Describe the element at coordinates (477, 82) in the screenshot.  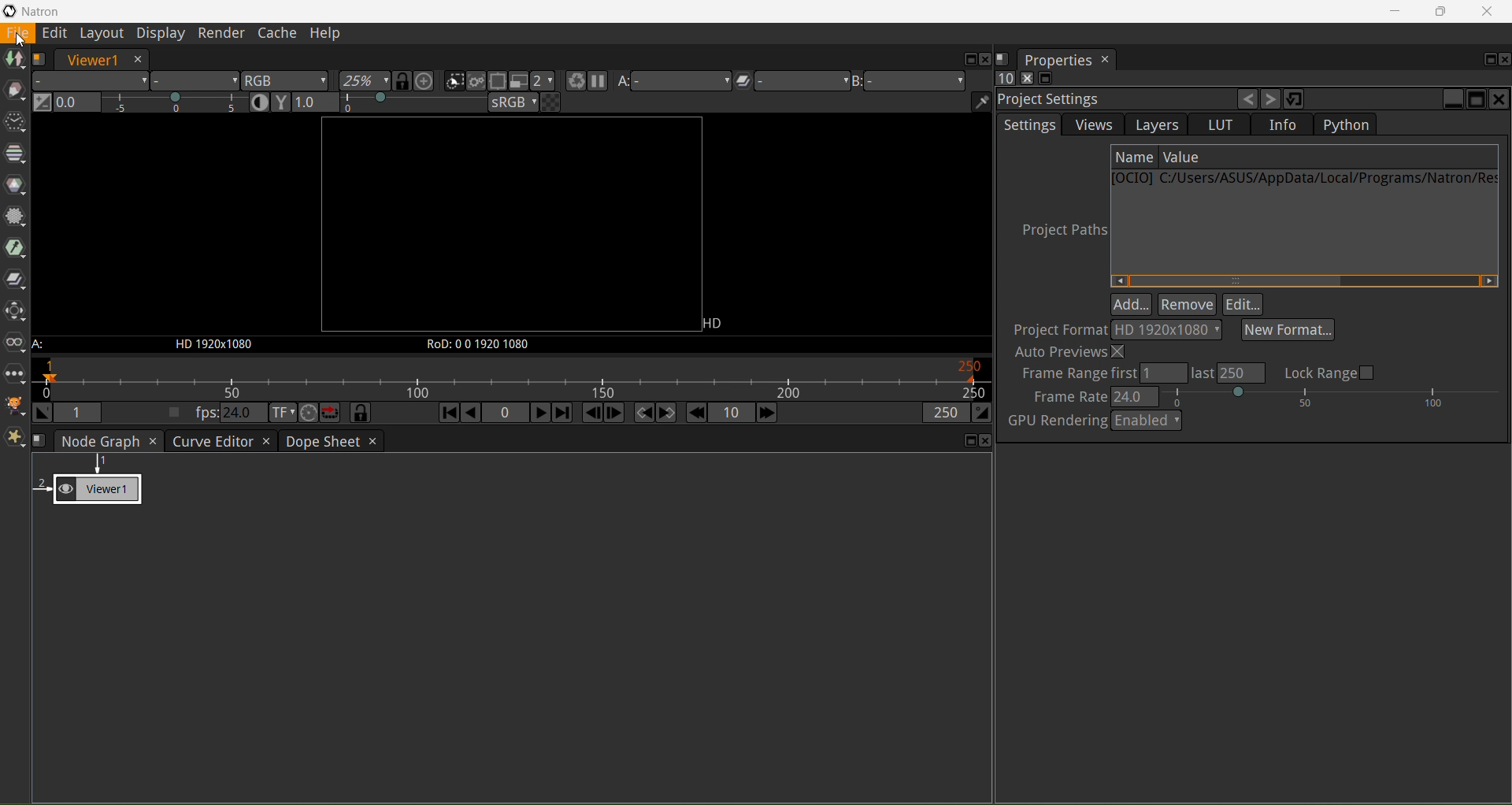
I see `When checked, the viewer will render the image in its entirety and not just the visible portion ` at that location.